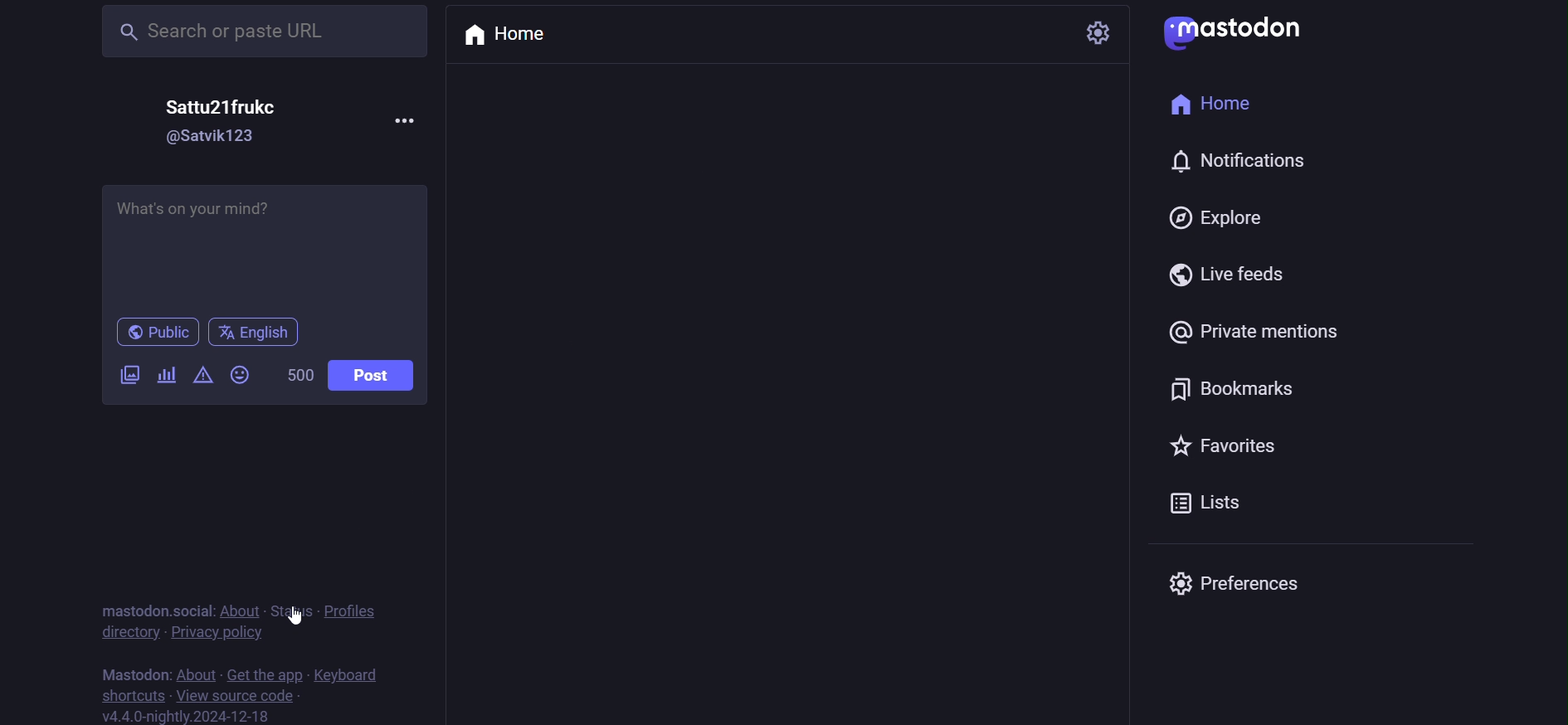  What do you see at coordinates (353, 613) in the screenshot?
I see `profiles` at bounding box center [353, 613].